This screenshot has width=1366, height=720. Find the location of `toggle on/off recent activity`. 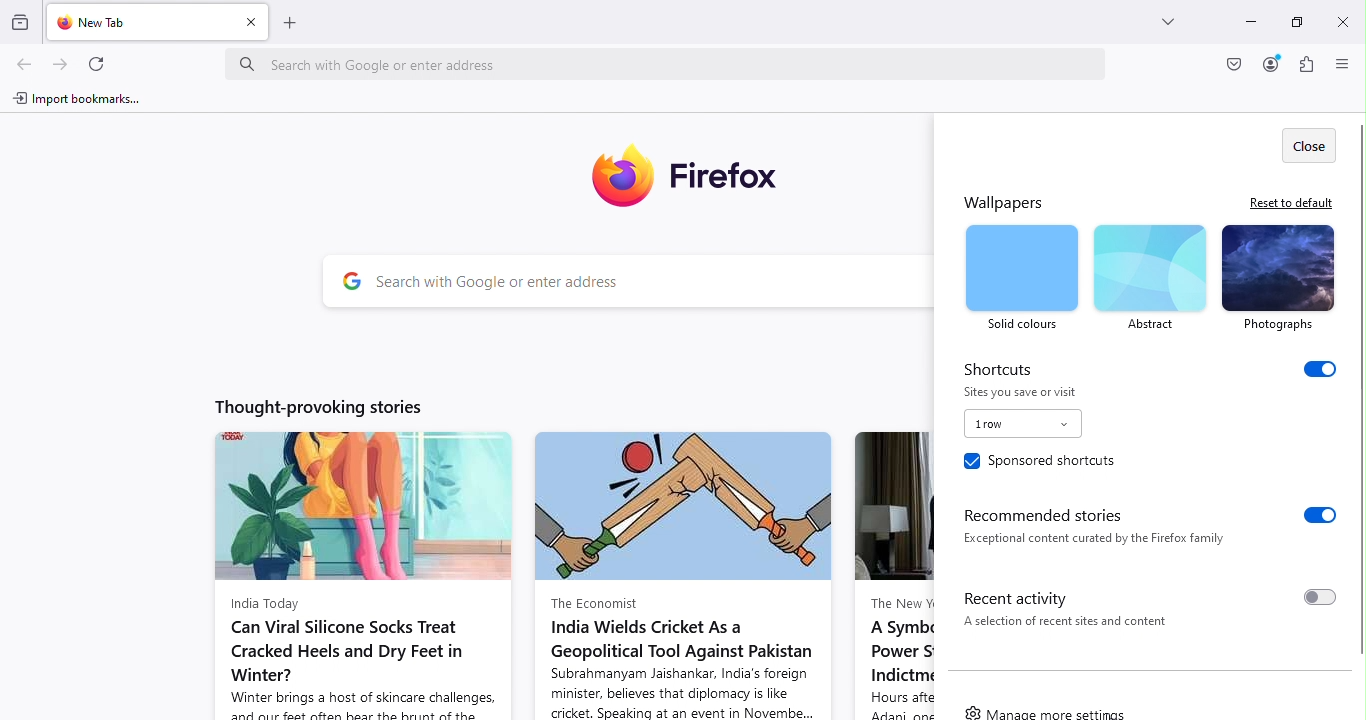

toggle on/off recent activity is located at coordinates (1316, 599).